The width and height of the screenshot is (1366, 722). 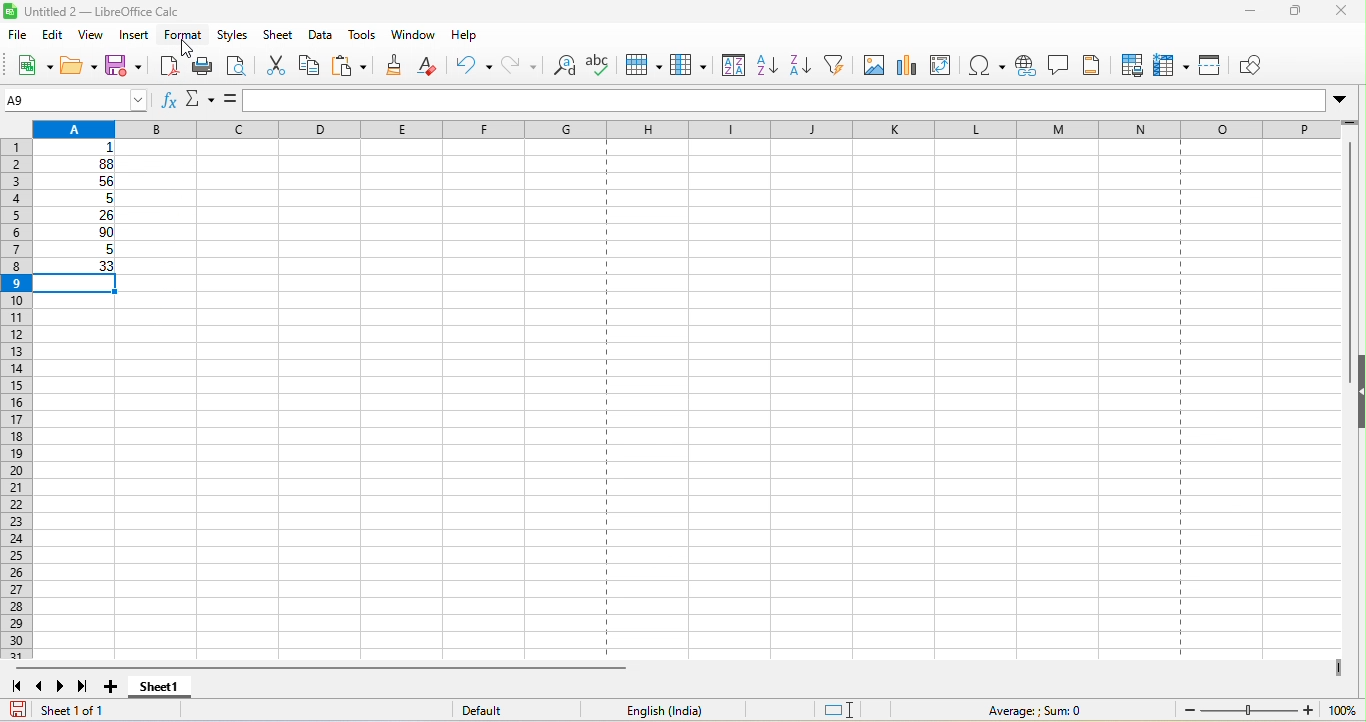 What do you see at coordinates (1240, 14) in the screenshot?
I see `minimize` at bounding box center [1240, 14].